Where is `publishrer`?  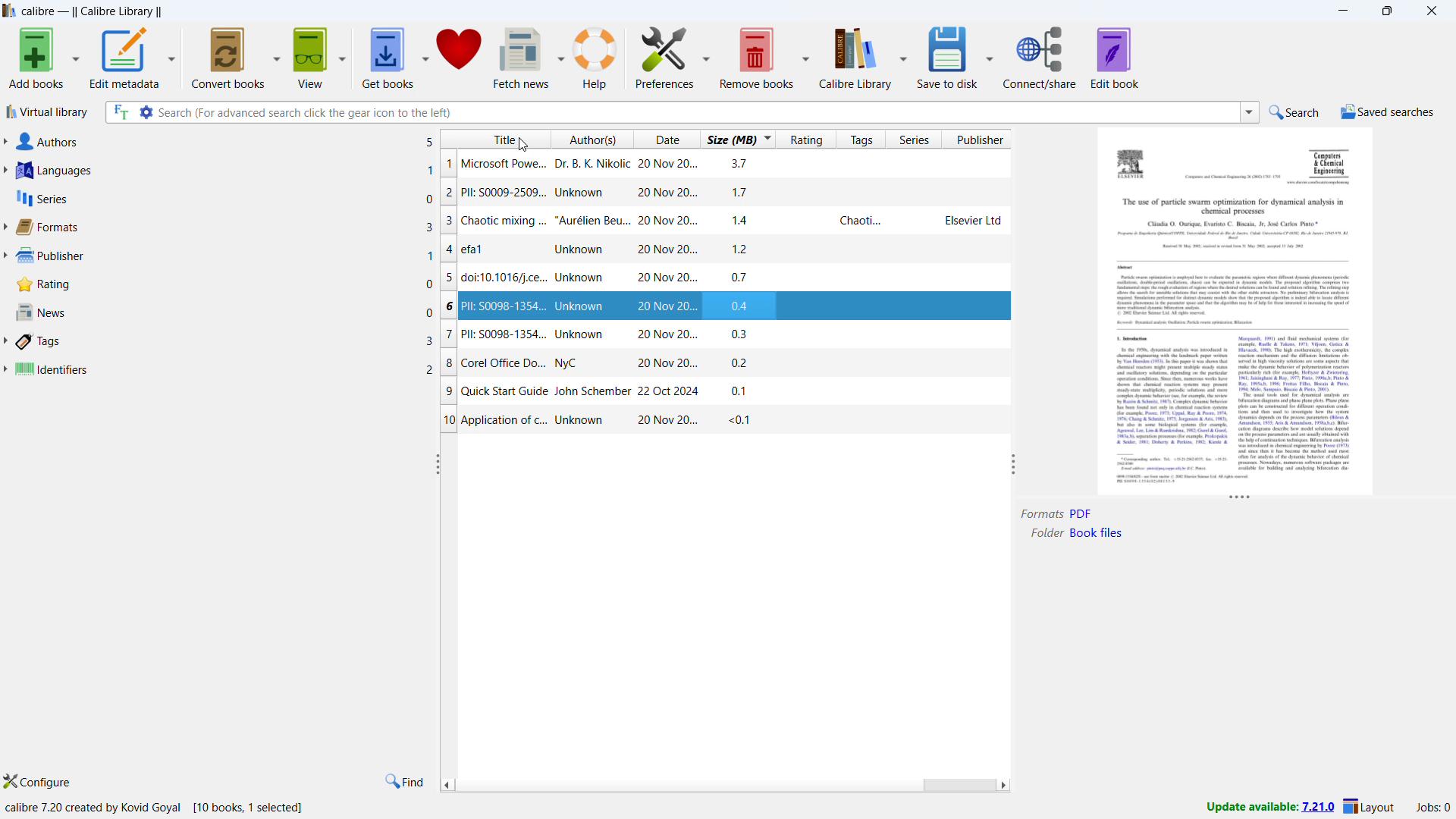
publishrer is located at coordinates (224, 256).